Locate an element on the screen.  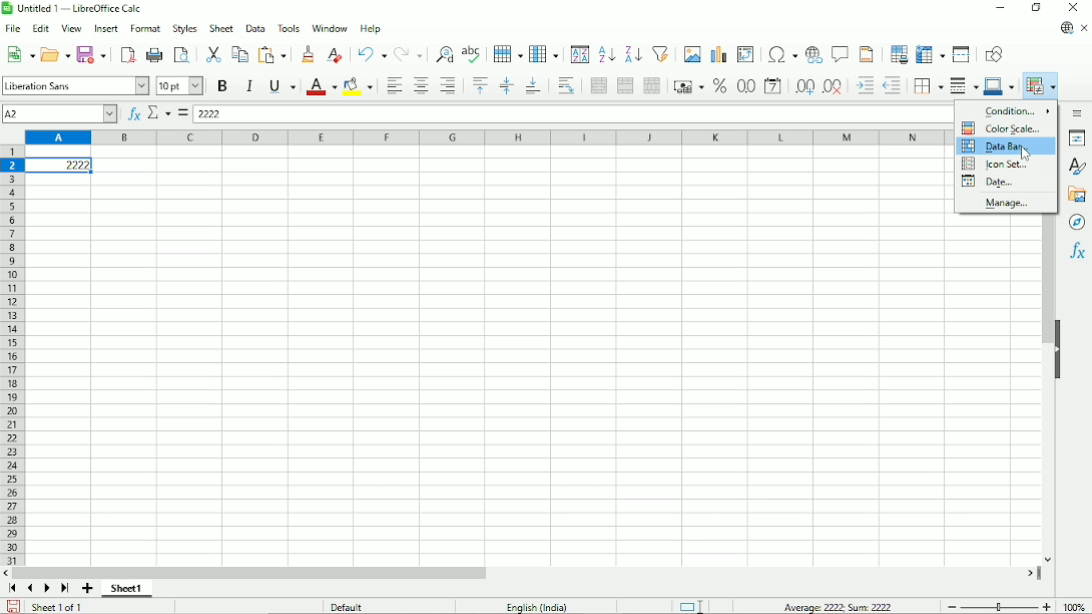
Insert Image  is located at coordinates (690, 53).